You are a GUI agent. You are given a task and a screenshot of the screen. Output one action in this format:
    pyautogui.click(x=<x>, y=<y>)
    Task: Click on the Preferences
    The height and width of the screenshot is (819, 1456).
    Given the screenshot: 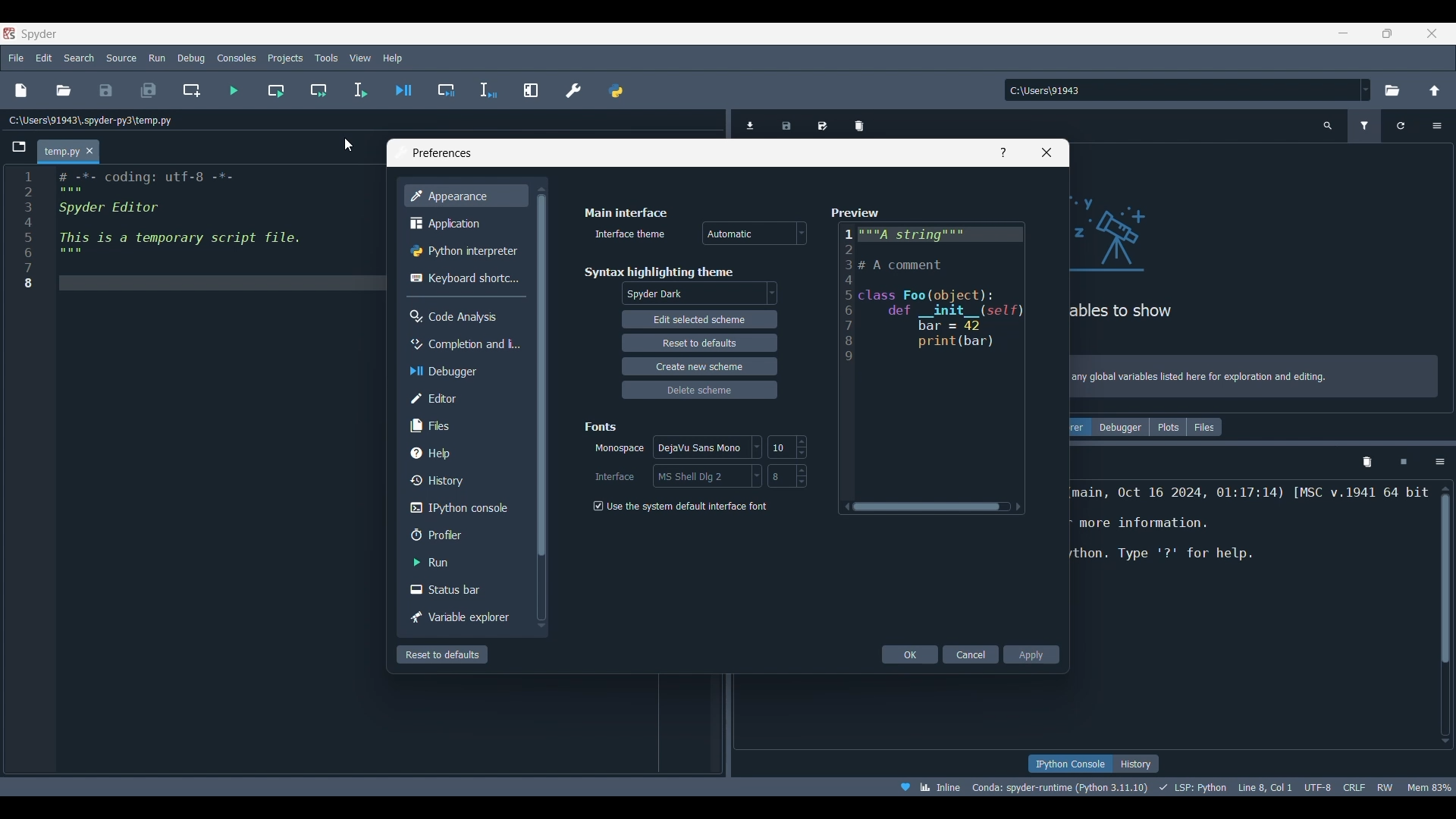 What is the action you would take?
    pyautogui.click(x=439, y=153)
    